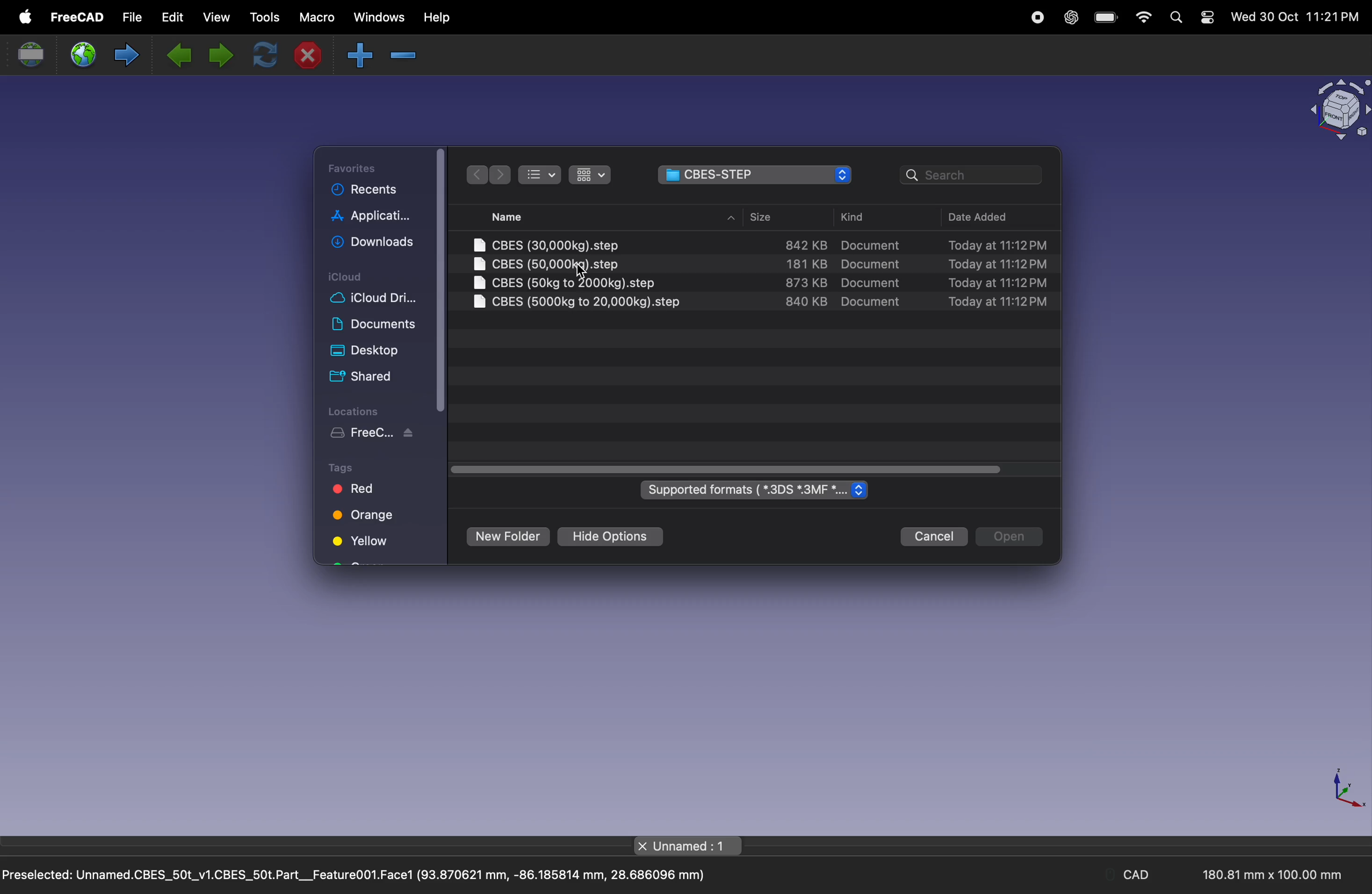  Describe the element at coordinates (858, 220) in the screenshot. I see `kind` at that location.